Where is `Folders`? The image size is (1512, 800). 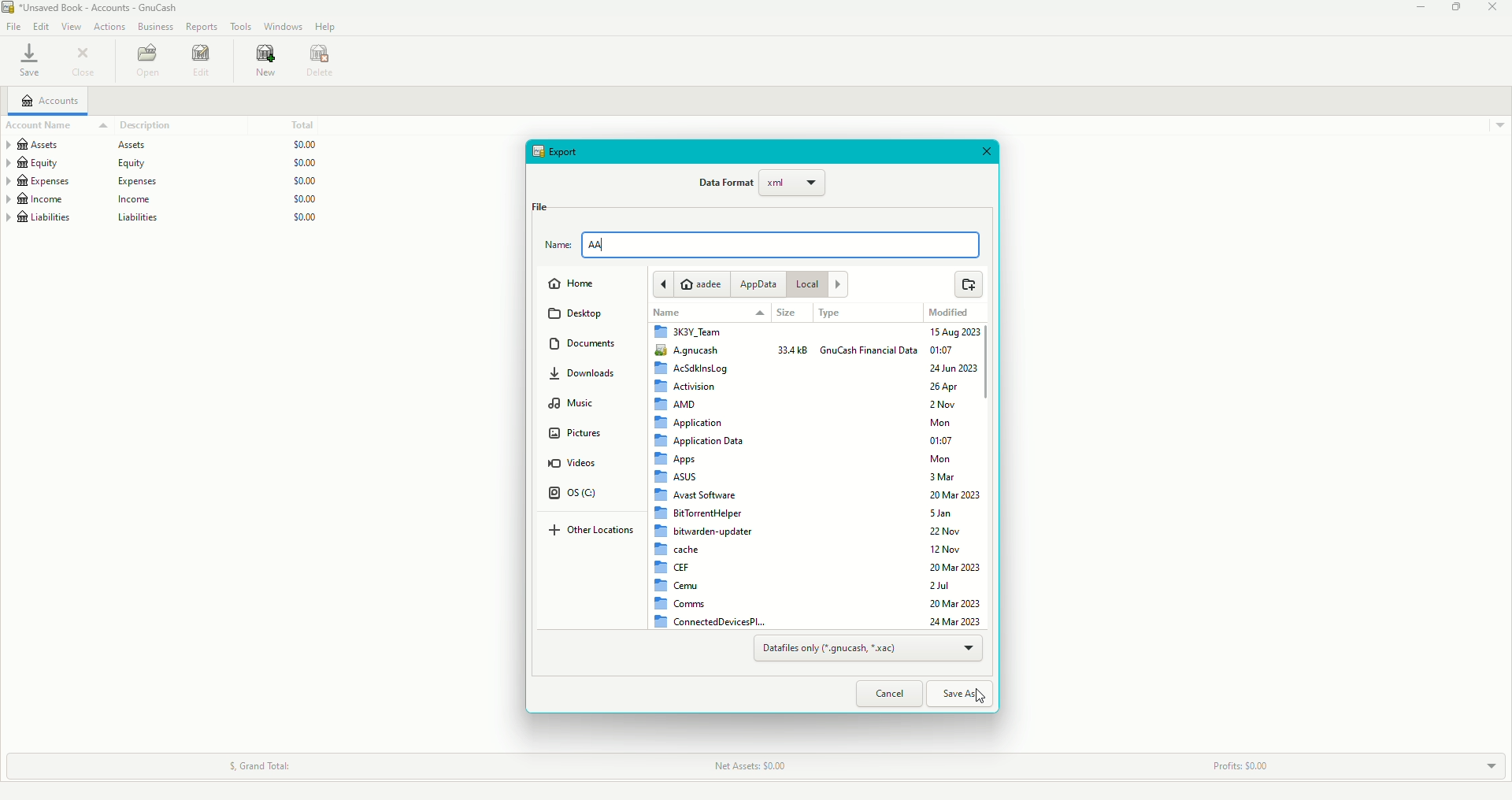
Folders is located at coordinates (710, 476).